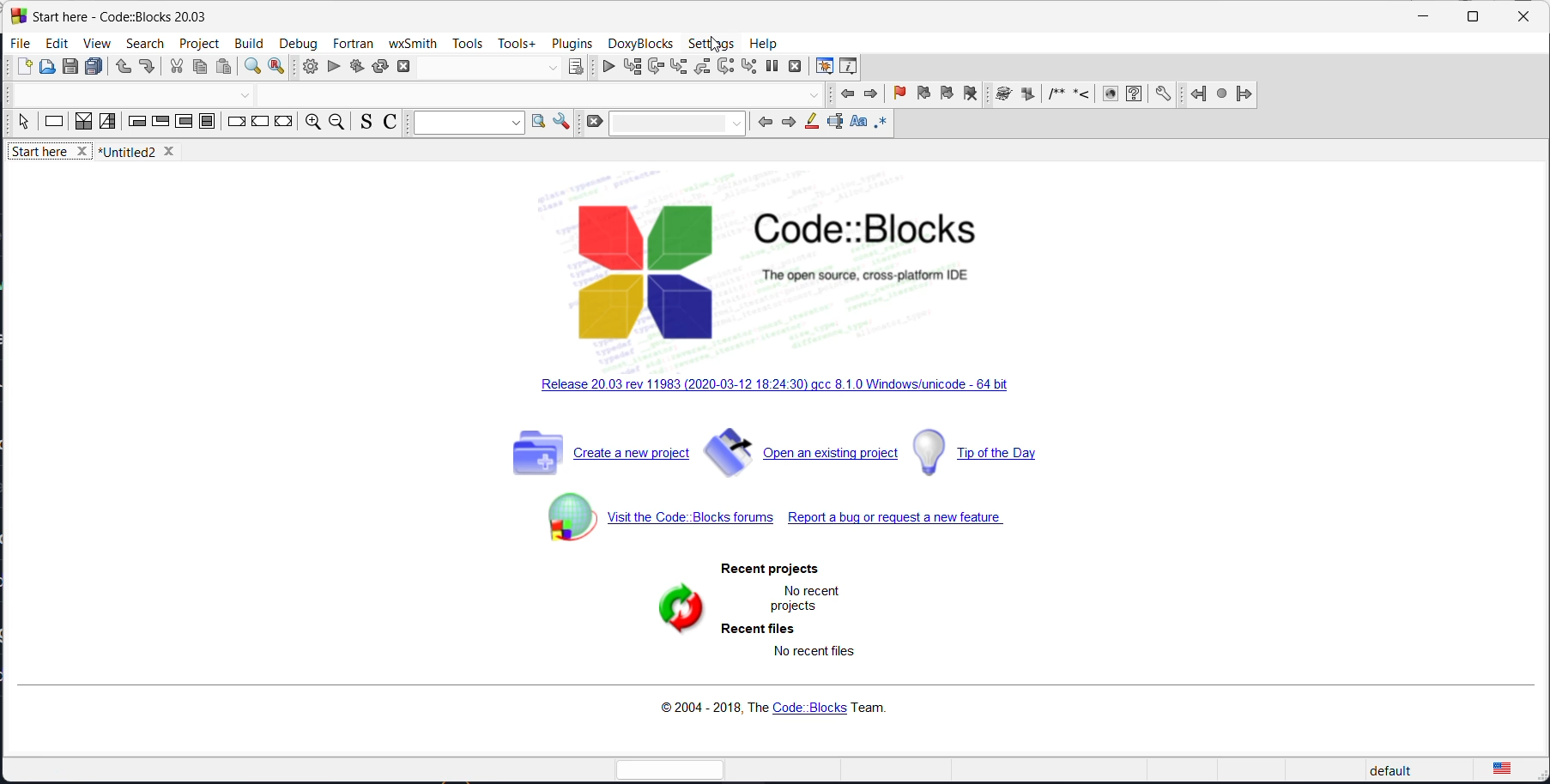  What do you see at coordinates (1523, 18) in the screenshot?
I see `close` at bounding box center [1523, 18].